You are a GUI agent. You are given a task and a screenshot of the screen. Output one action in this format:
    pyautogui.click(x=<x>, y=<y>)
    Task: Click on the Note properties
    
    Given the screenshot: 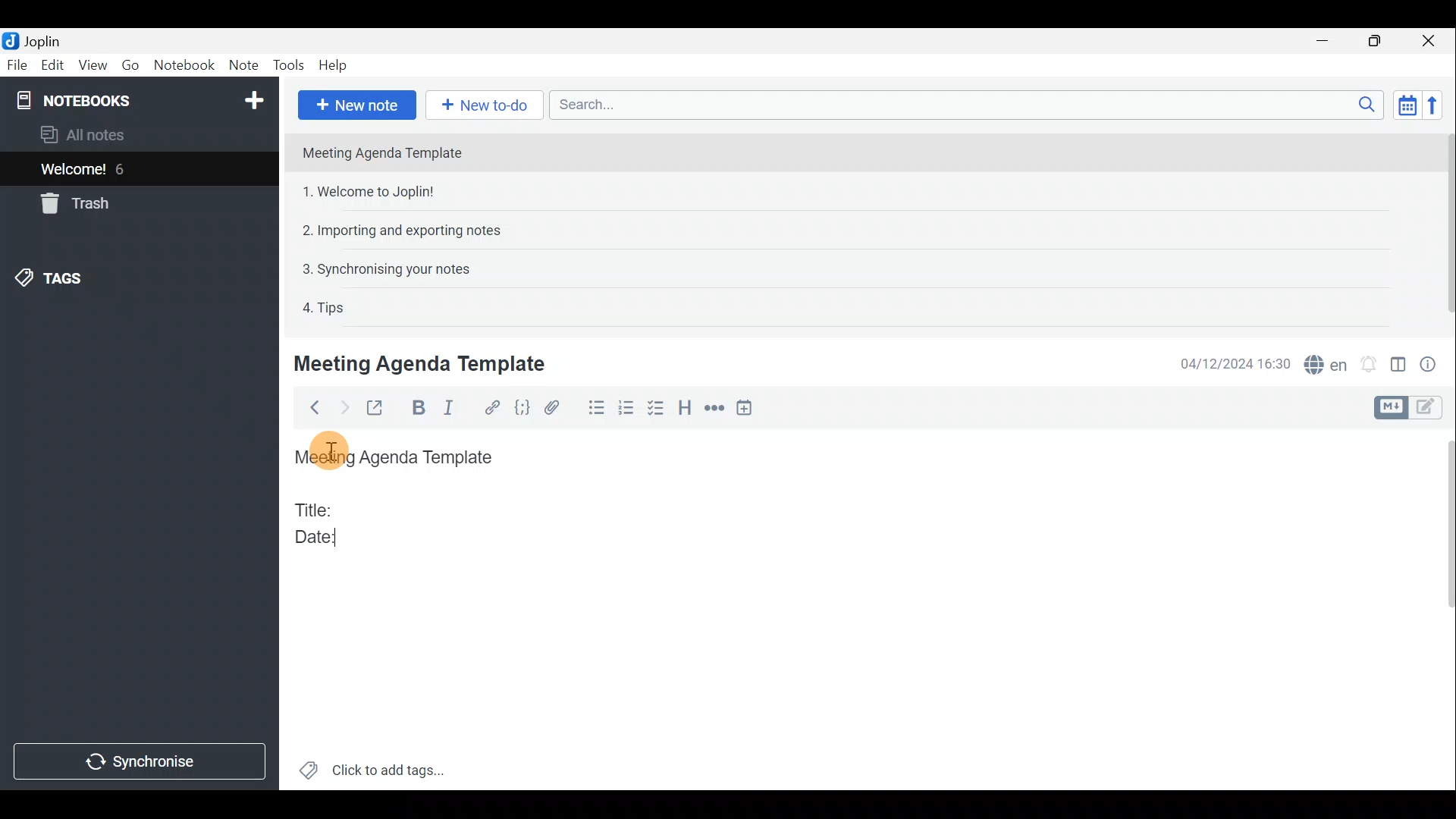 What is the action you would take?
    pyautogui.click(x=1433, y=363)
    